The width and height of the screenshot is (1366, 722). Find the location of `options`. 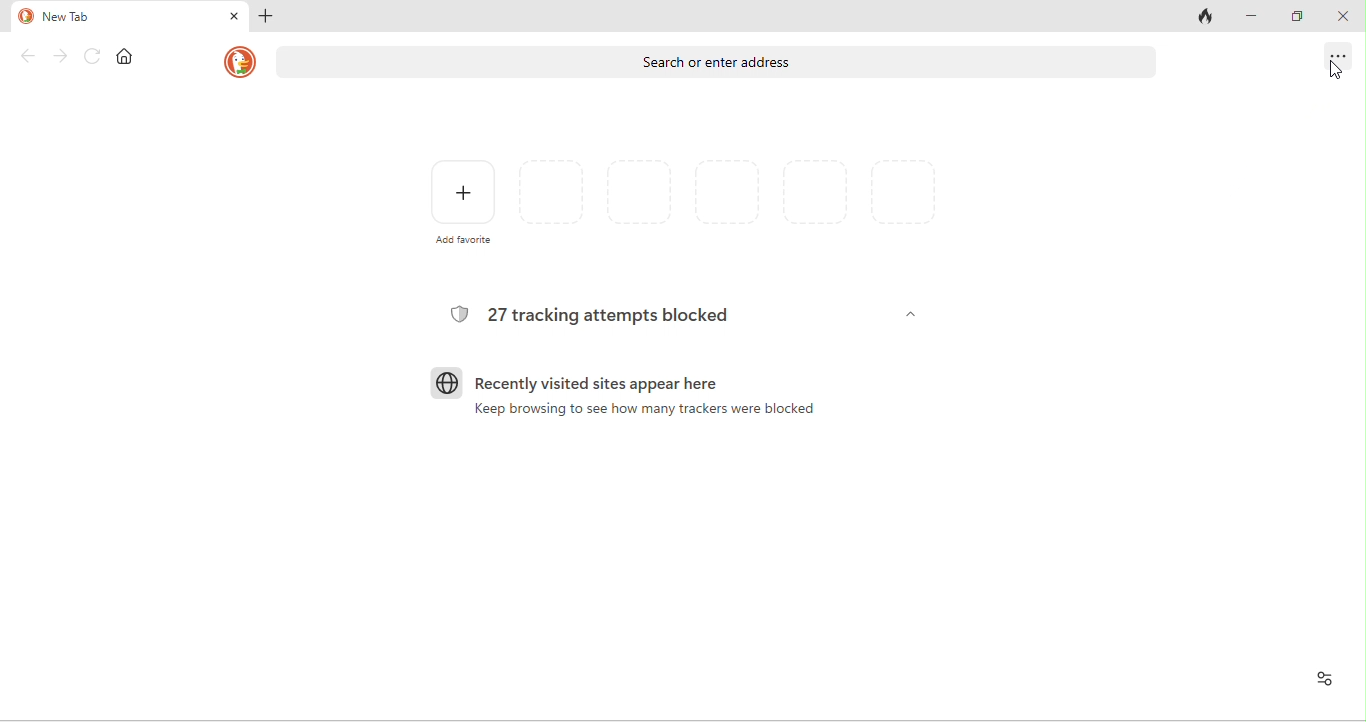

options is located at coordinates (1339, 55).